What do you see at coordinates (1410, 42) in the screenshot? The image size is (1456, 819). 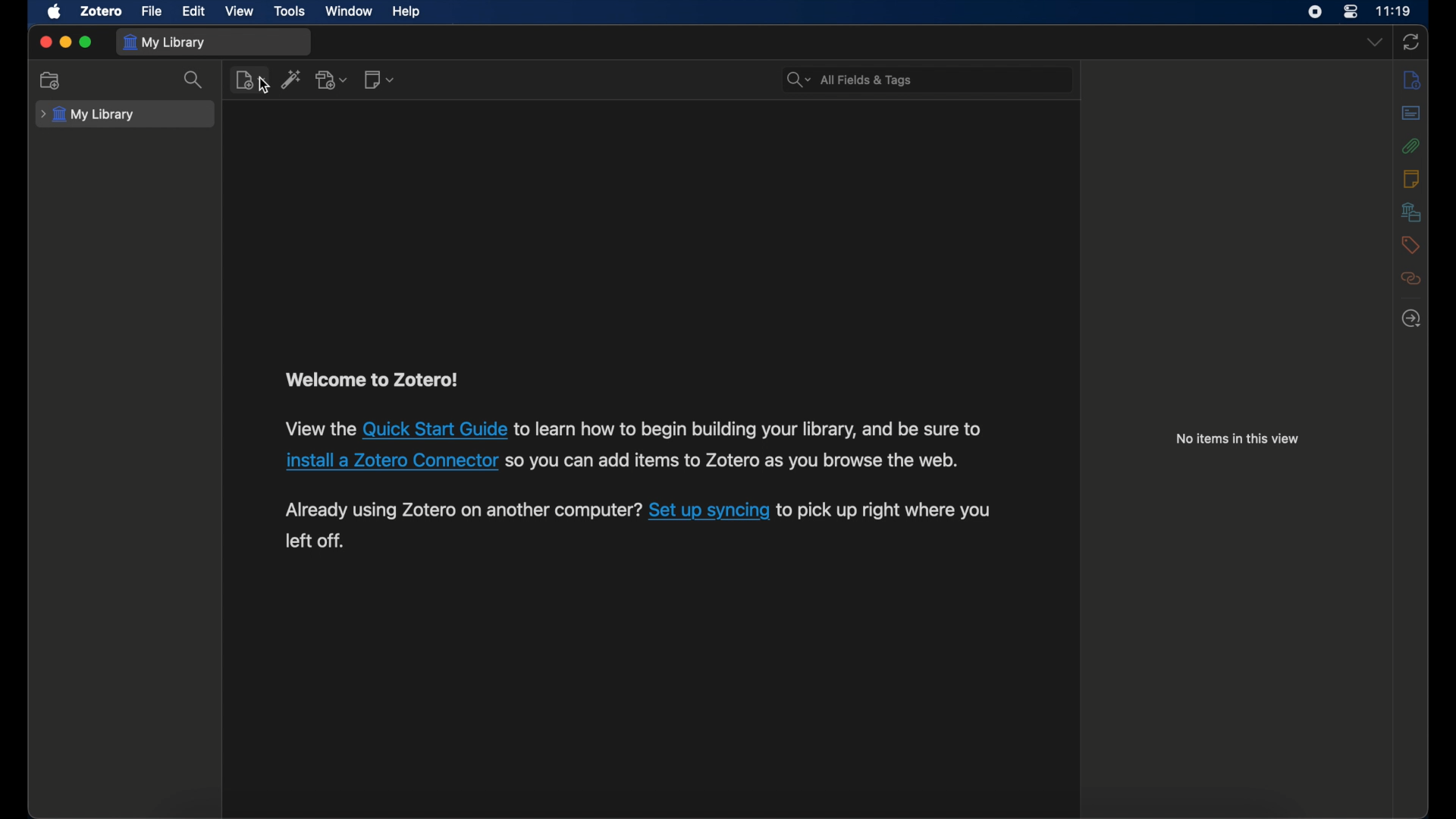 I see `ync` at bounding box center [1410, 42].